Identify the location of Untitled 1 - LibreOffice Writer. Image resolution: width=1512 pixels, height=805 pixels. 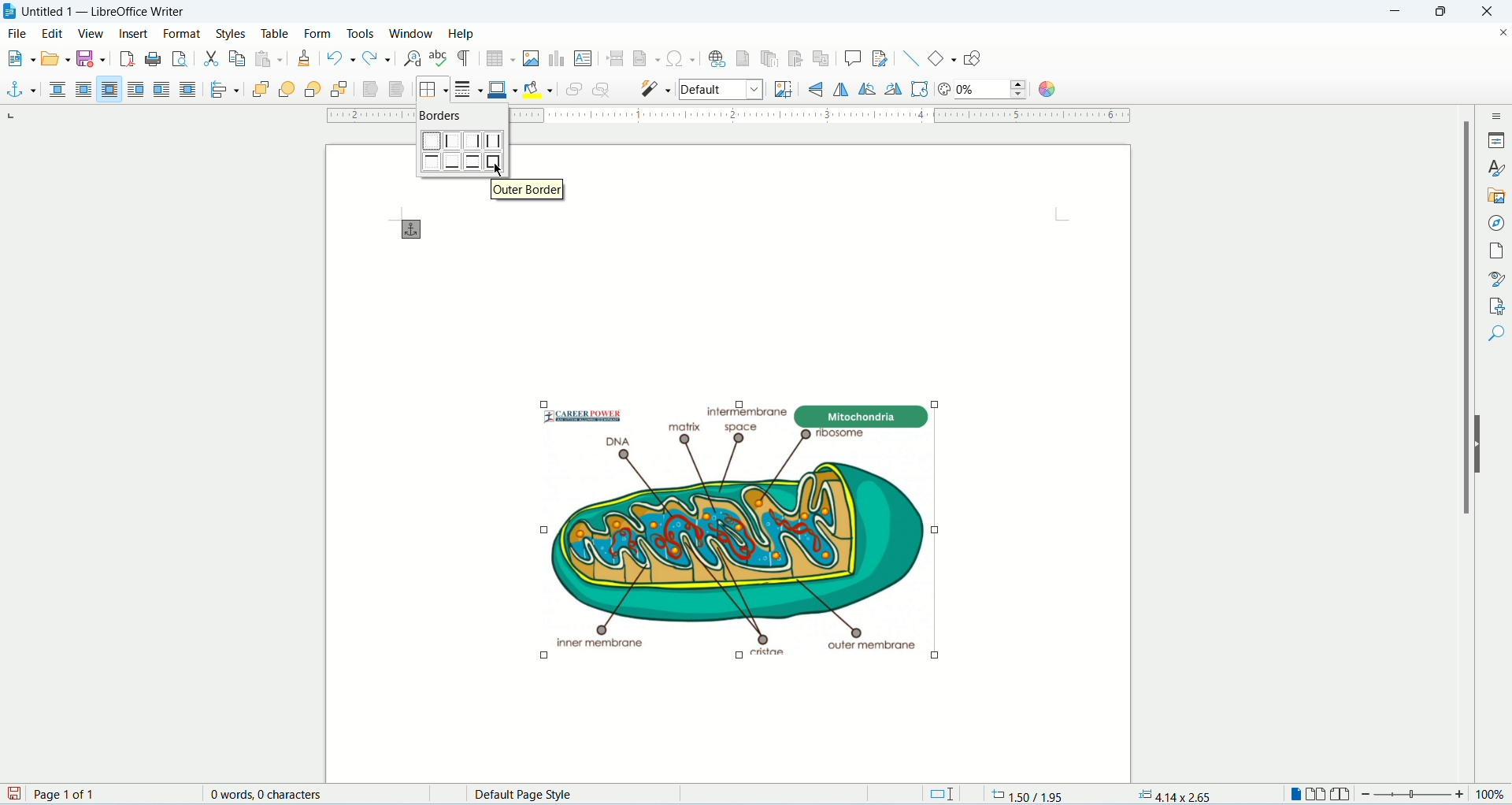
(117, 10).